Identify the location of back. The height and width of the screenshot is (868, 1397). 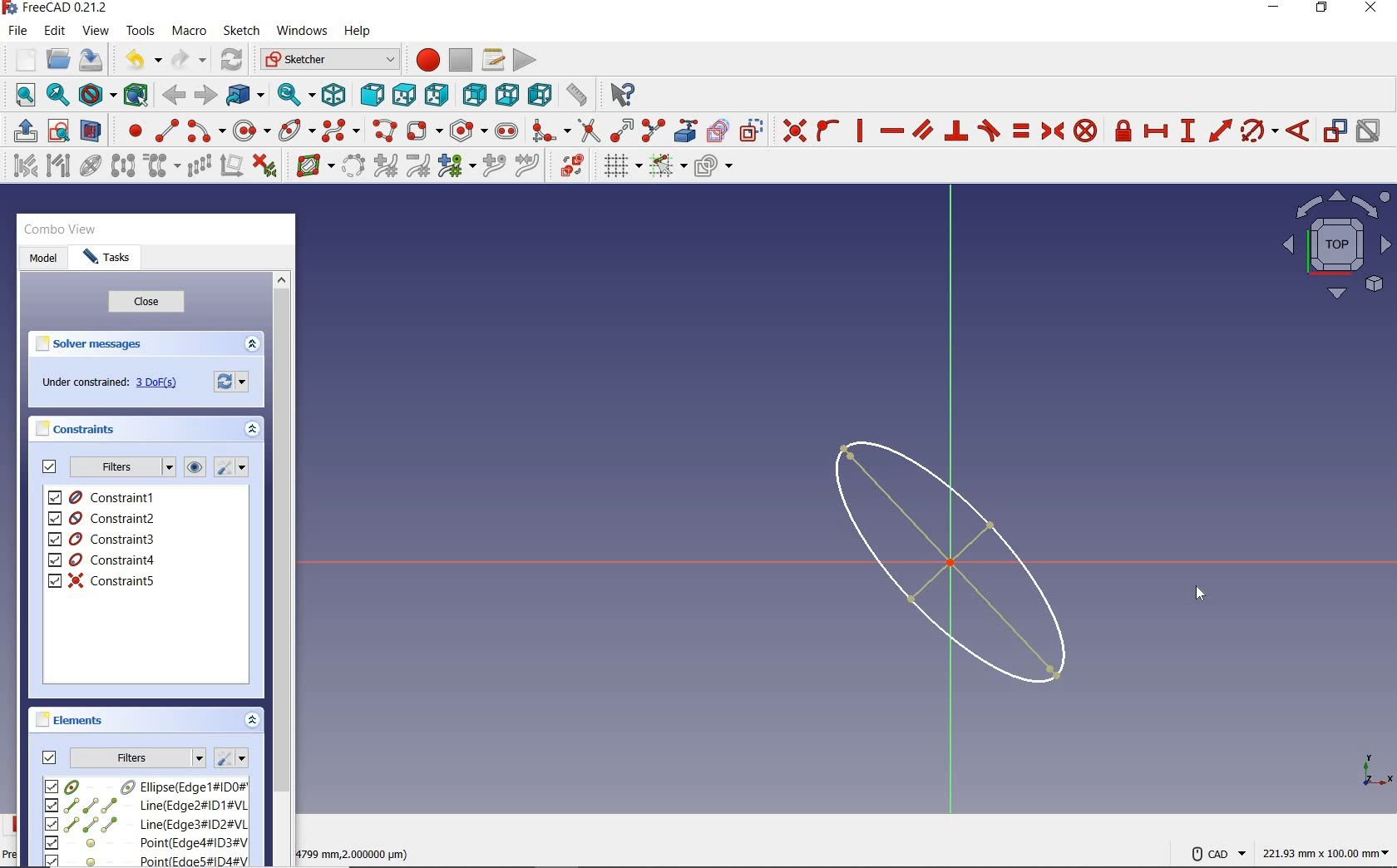
(173, 96).